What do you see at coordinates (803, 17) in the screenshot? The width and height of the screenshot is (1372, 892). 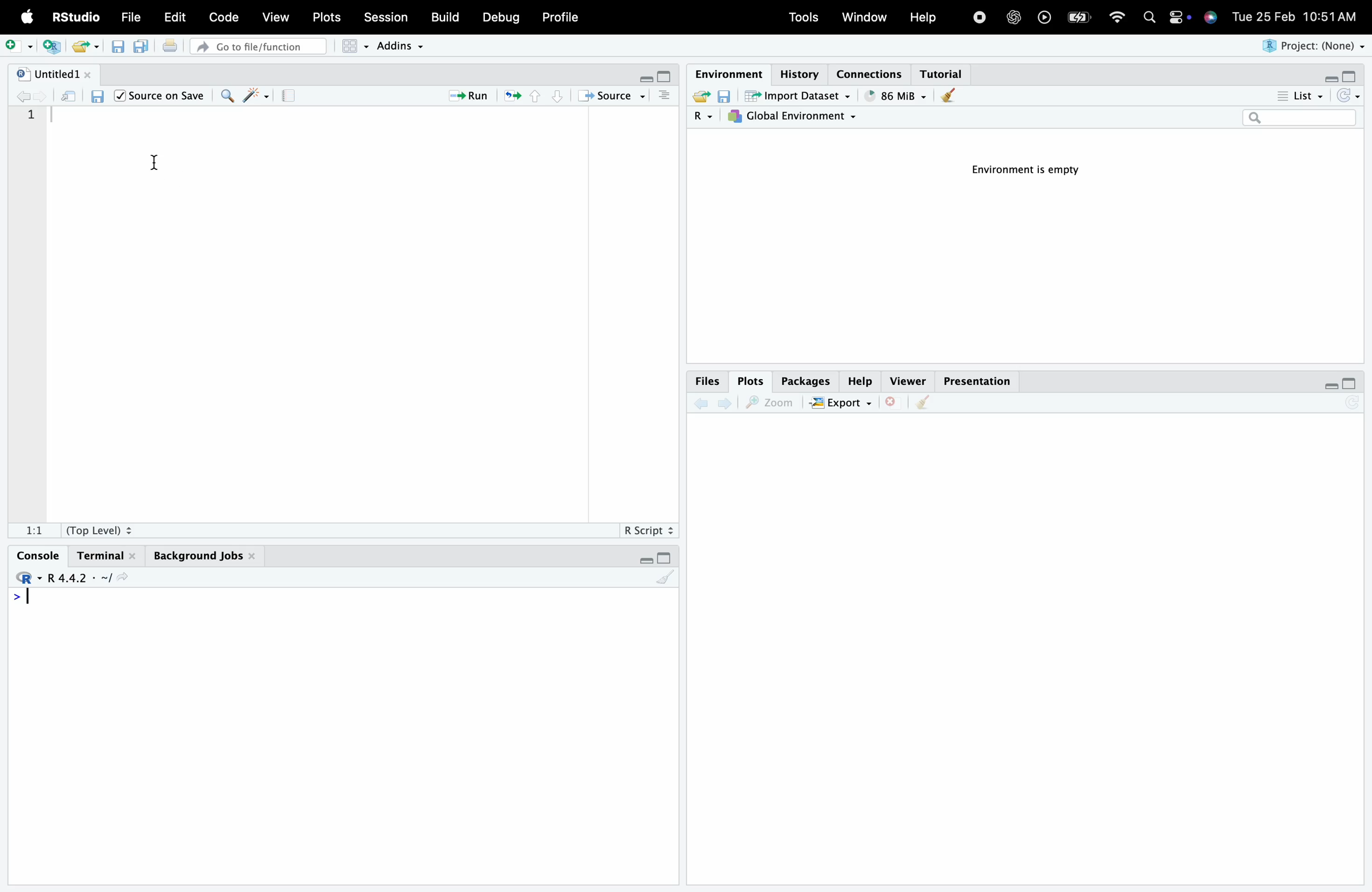 I see `Tools` at bounding box center [803, 17].